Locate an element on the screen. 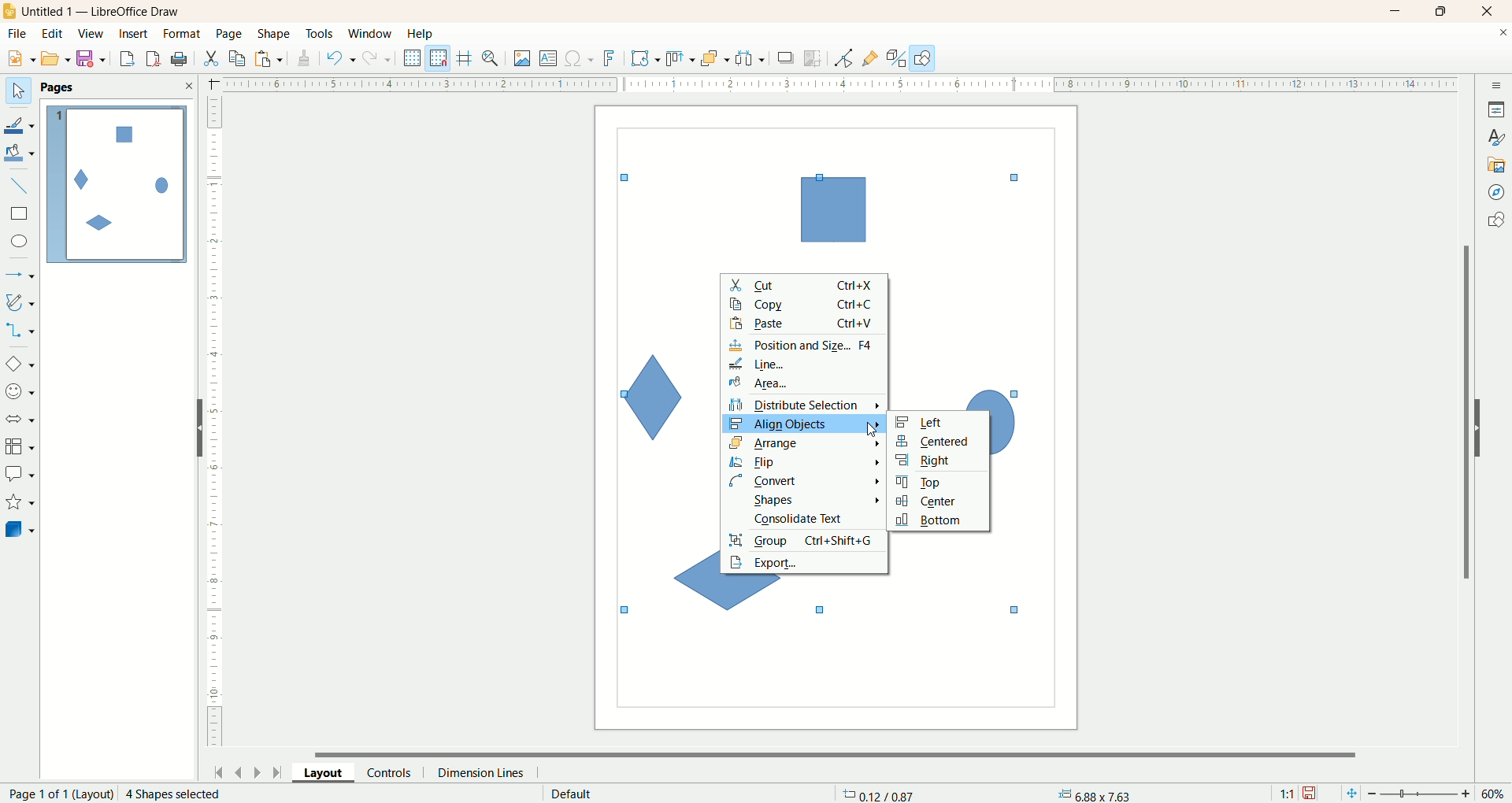 This screenshot has height=803, width=1512. curves and polygon is located at coordinates (21, 302).